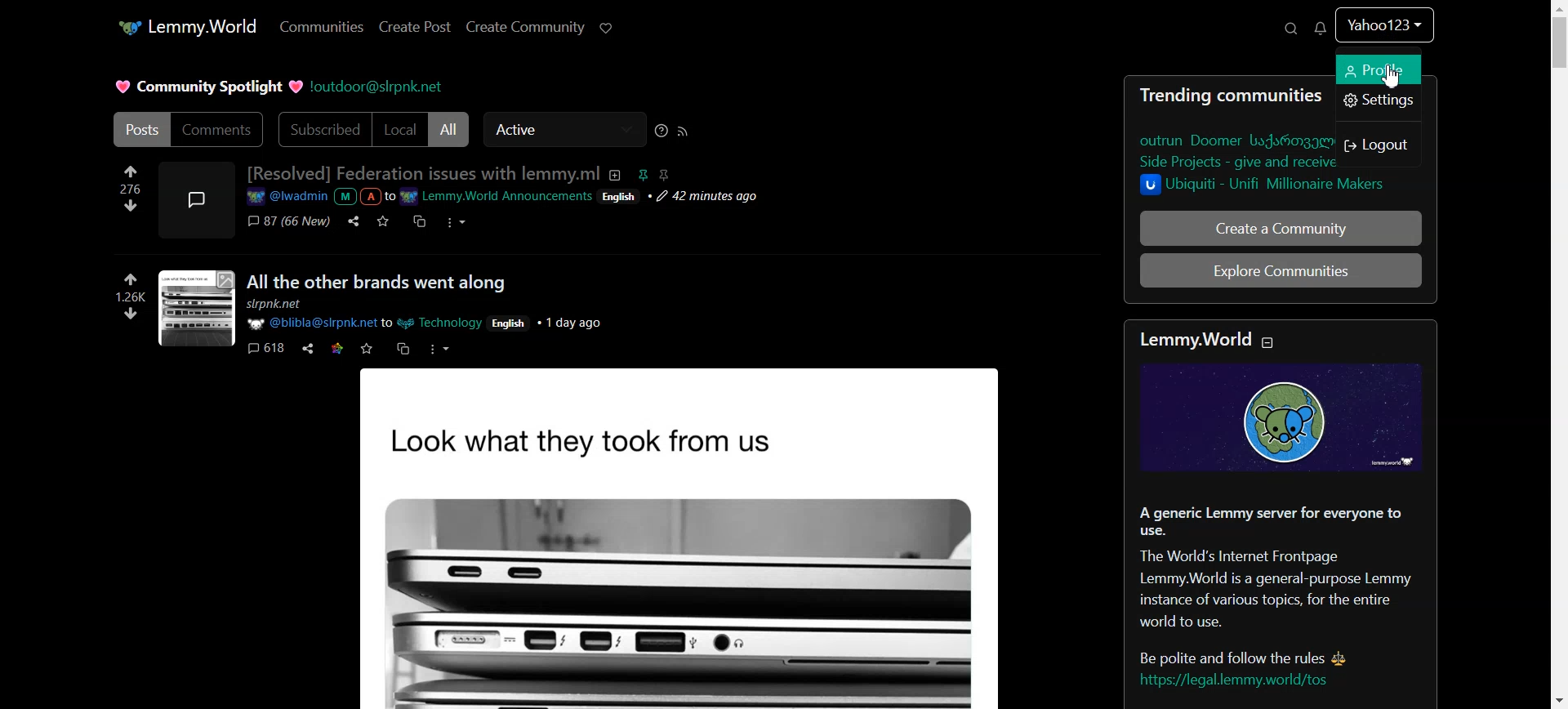  What do you see at coordinates (122, 297) in the screenshot?
I see `1.26k` at bounding box center [122, 297].